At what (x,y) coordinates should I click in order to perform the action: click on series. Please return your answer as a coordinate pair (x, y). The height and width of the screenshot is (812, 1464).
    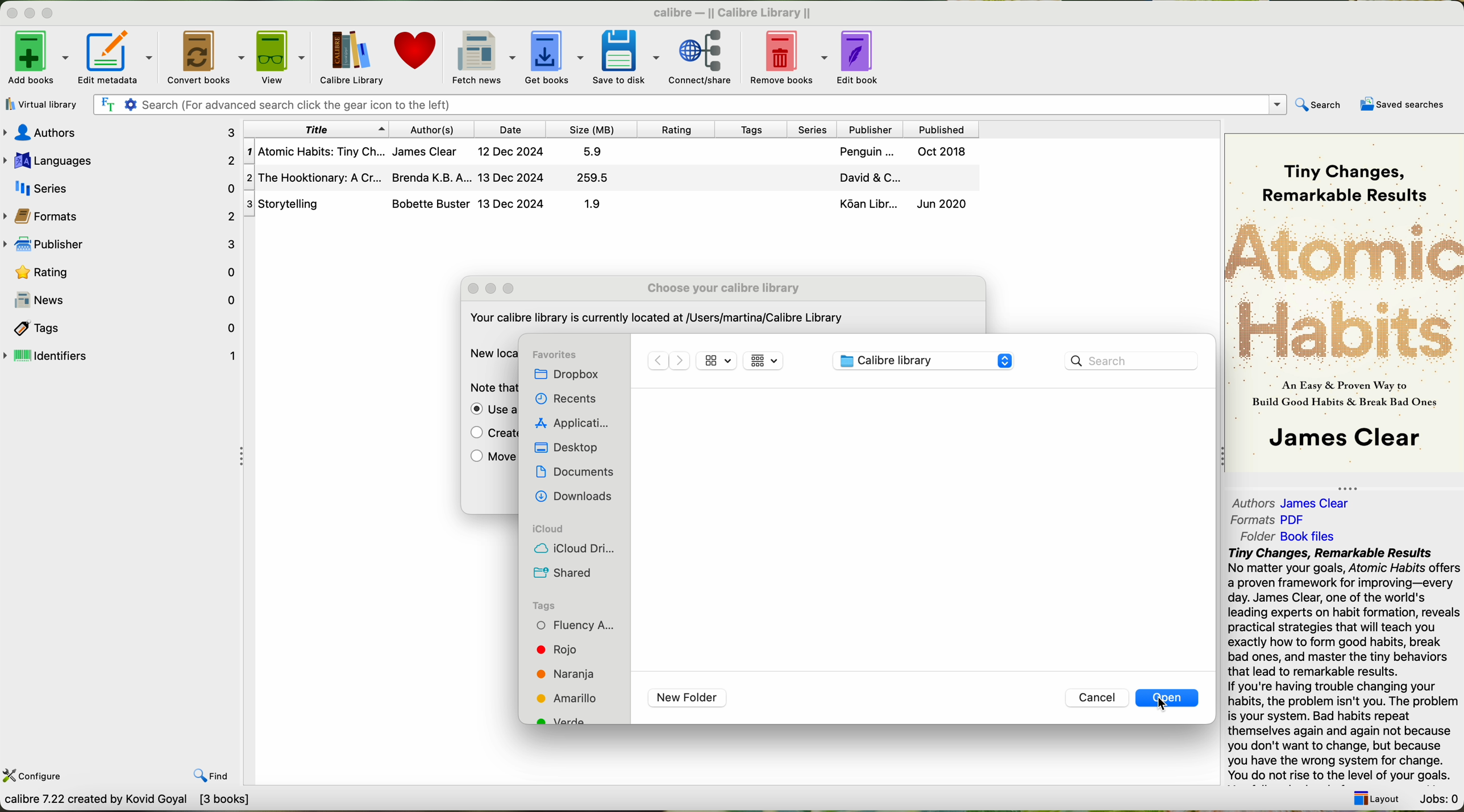
    Looking at the image, I should click on (121, 188).